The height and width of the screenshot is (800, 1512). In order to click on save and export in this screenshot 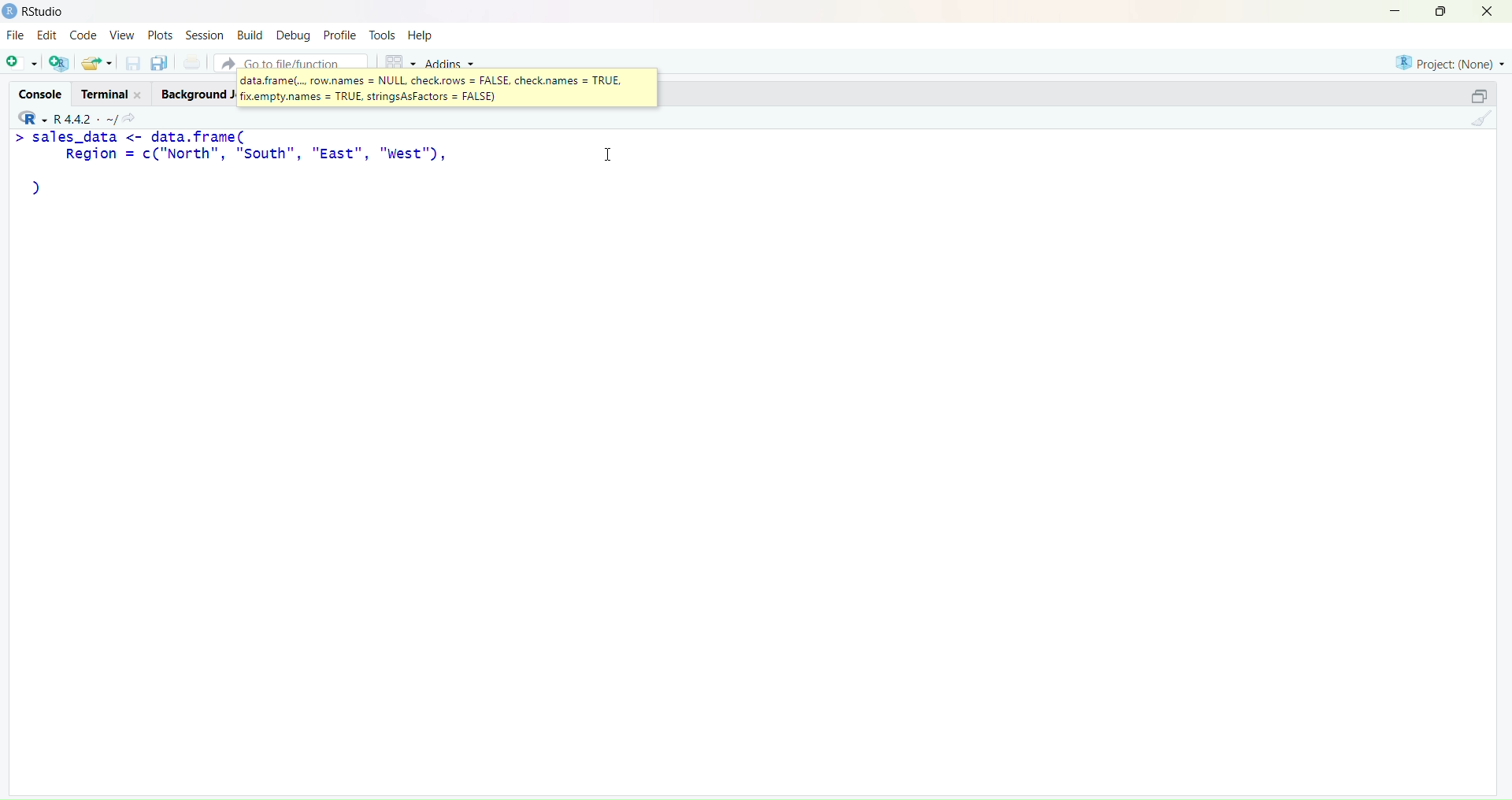, I will do `click(96, 64)`.